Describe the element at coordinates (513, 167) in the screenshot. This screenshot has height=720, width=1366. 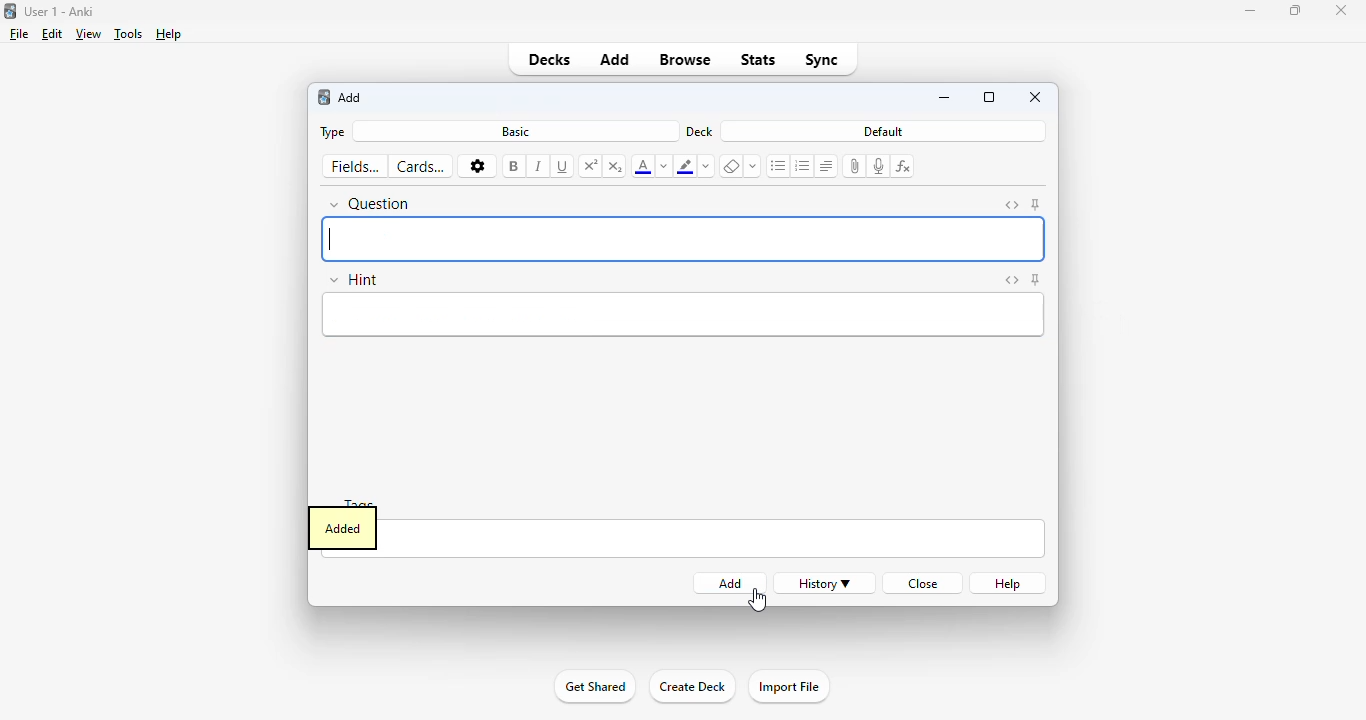
I see `bold` at that location.